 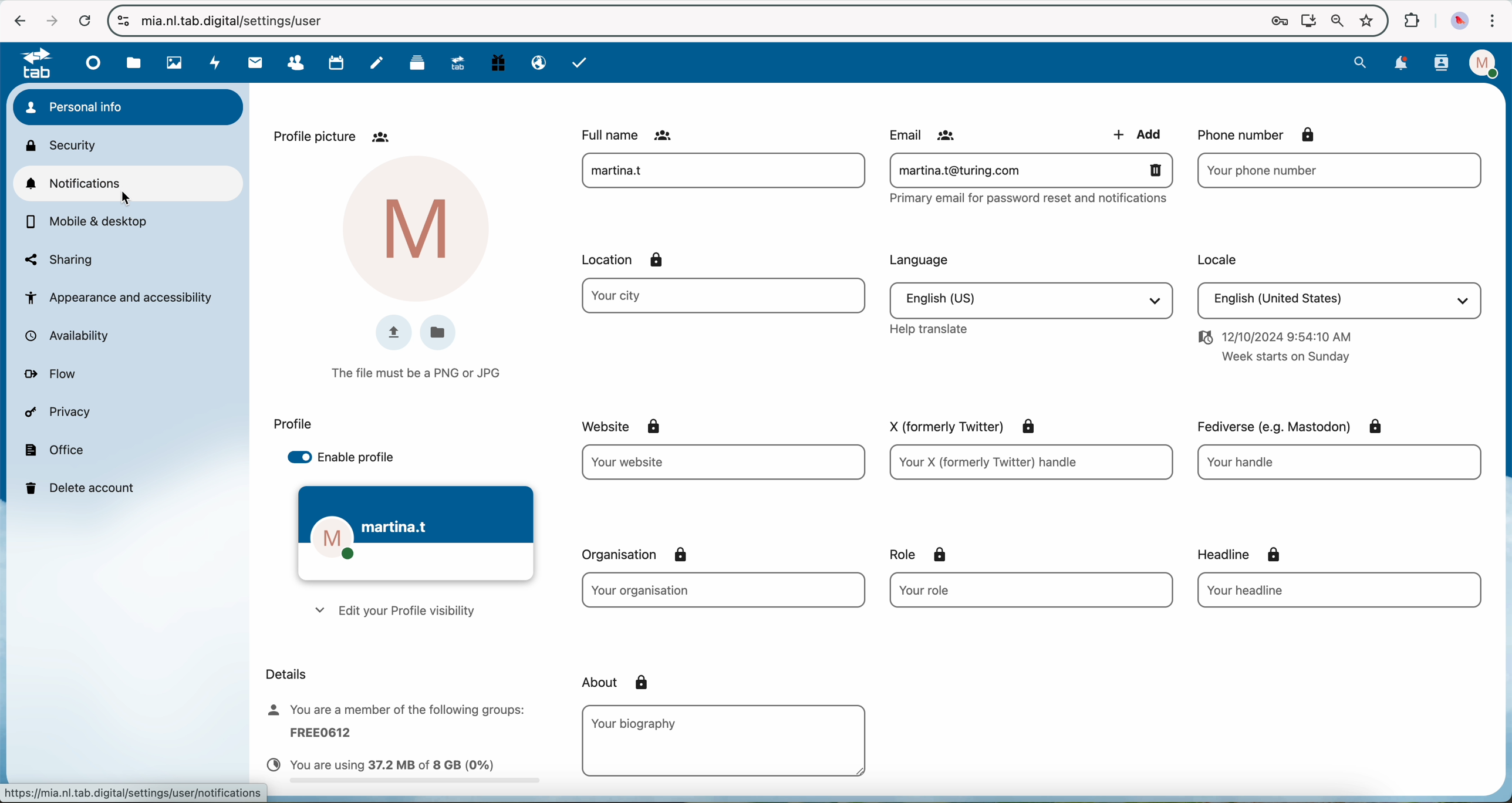 I want to click on member, so click(x=394, y=721).